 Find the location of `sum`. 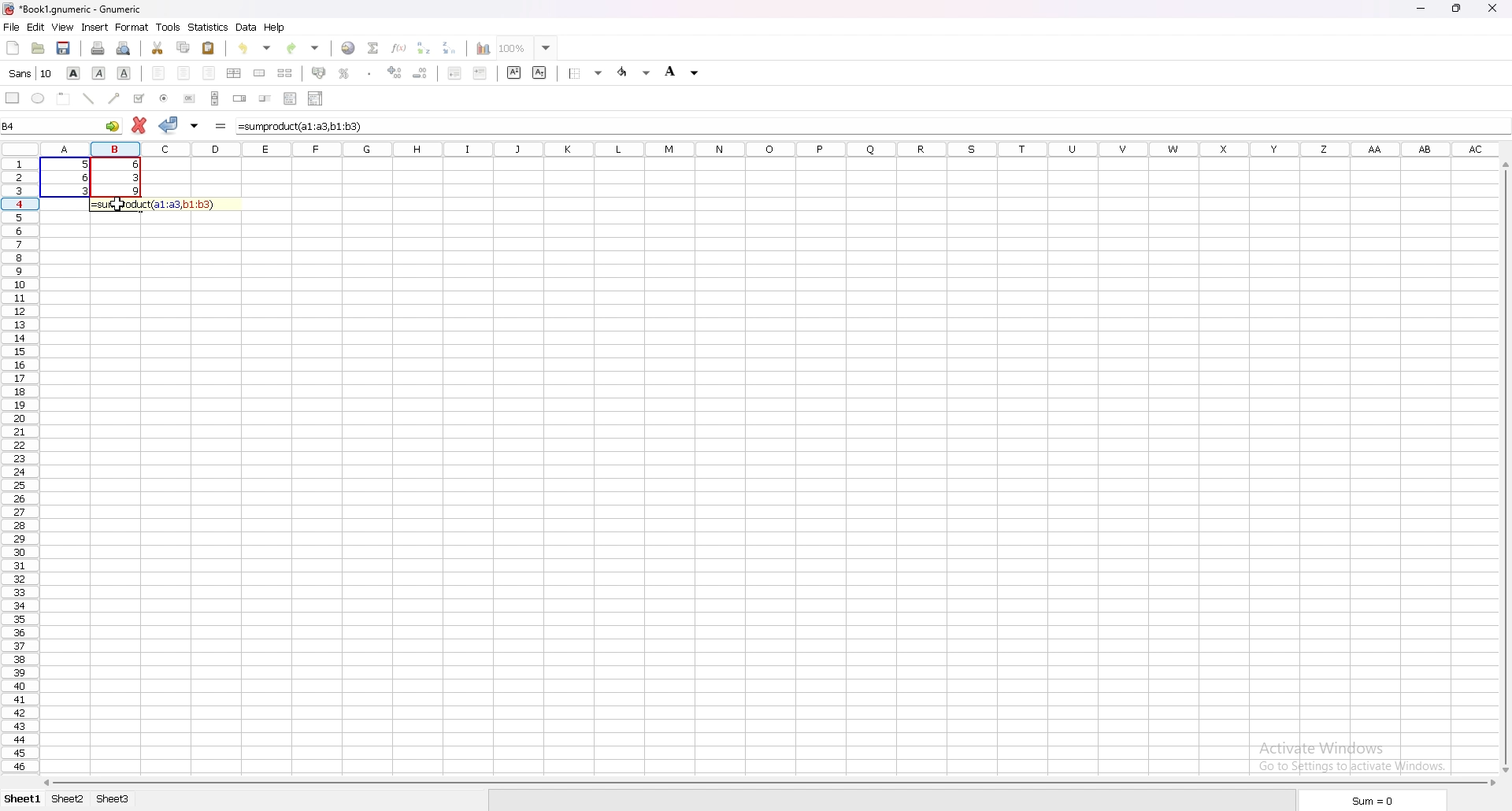

sum is located at coordinates (1369, 799).